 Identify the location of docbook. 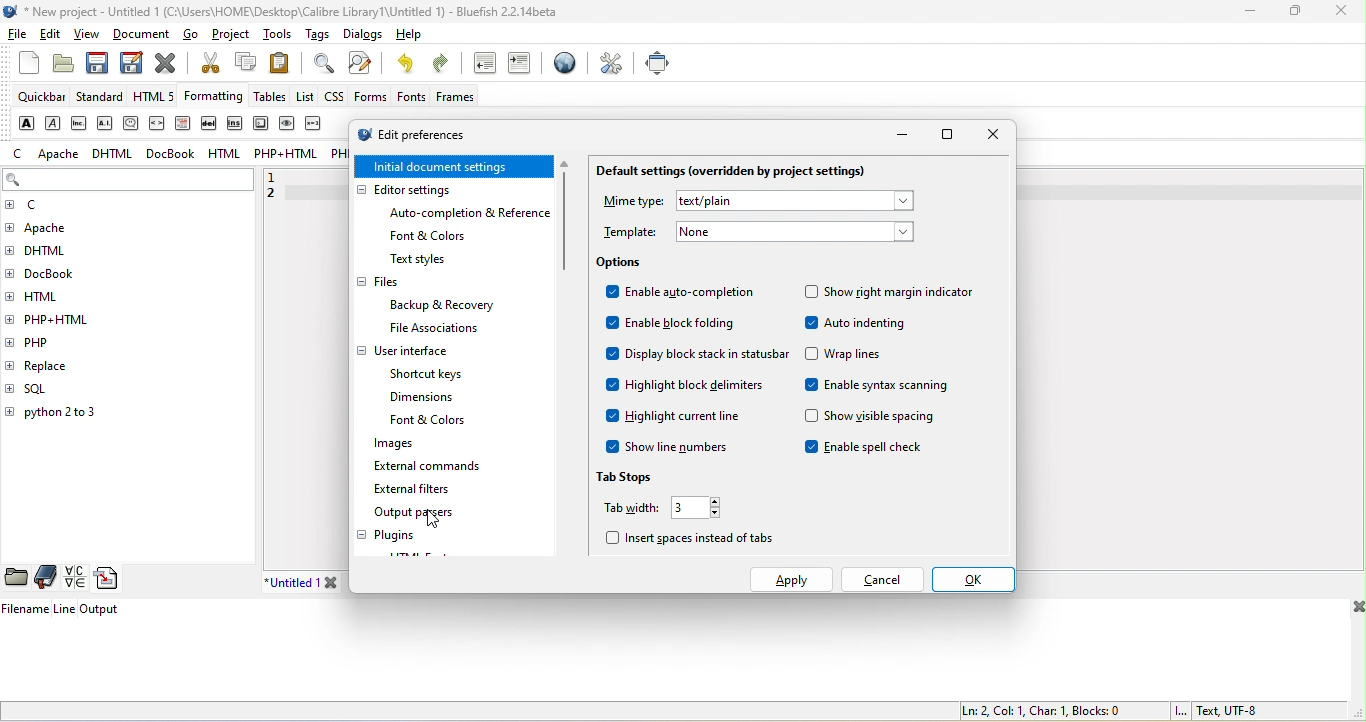
(60, 276).